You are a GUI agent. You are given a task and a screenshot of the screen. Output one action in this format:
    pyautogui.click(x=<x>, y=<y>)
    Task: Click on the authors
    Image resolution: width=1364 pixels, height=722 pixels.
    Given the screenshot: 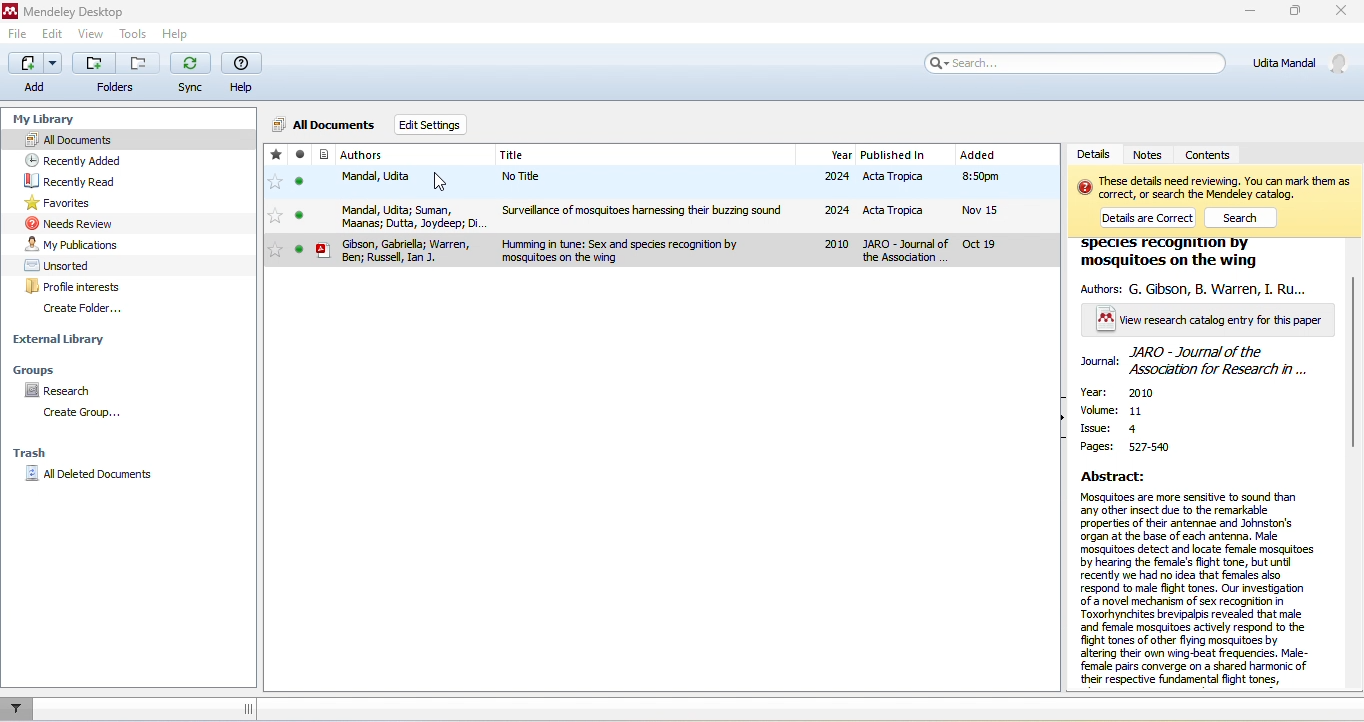 What is the action you would take?
    pyautogui.click(x=386, y=156)
    